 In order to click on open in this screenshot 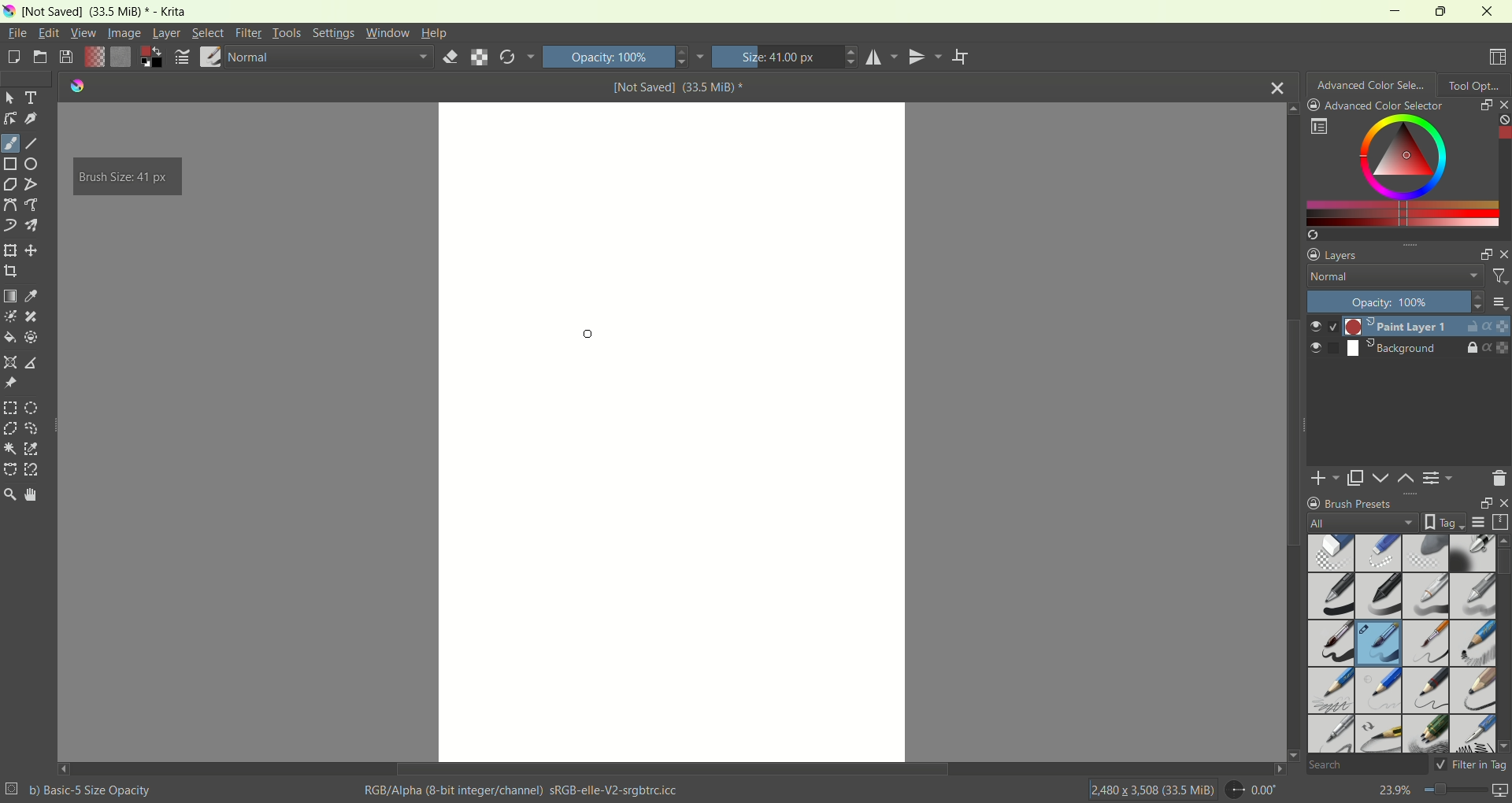, I will do `click(39, 56)`.